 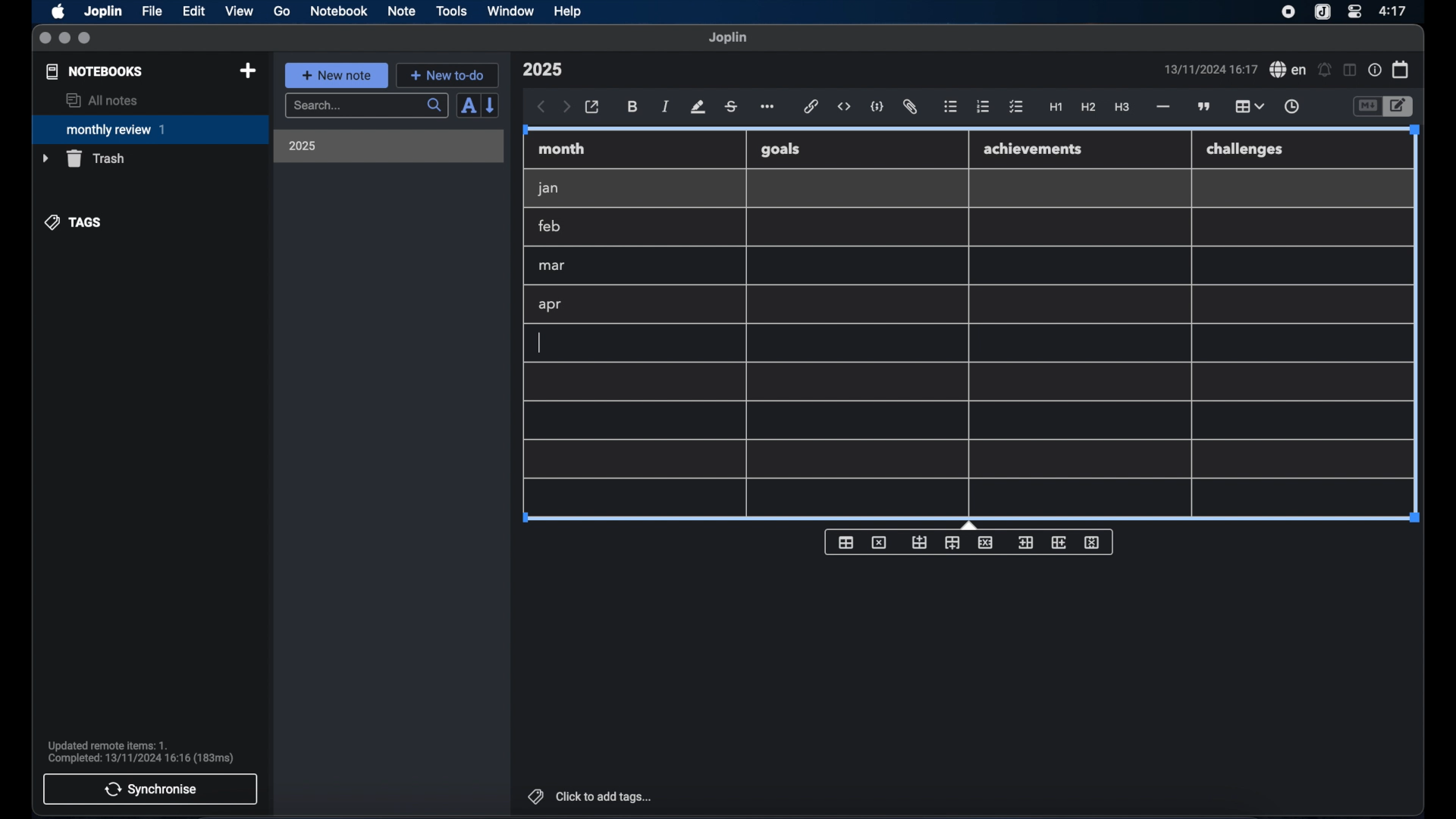 I want to click on note, so click(x=402, y=11).